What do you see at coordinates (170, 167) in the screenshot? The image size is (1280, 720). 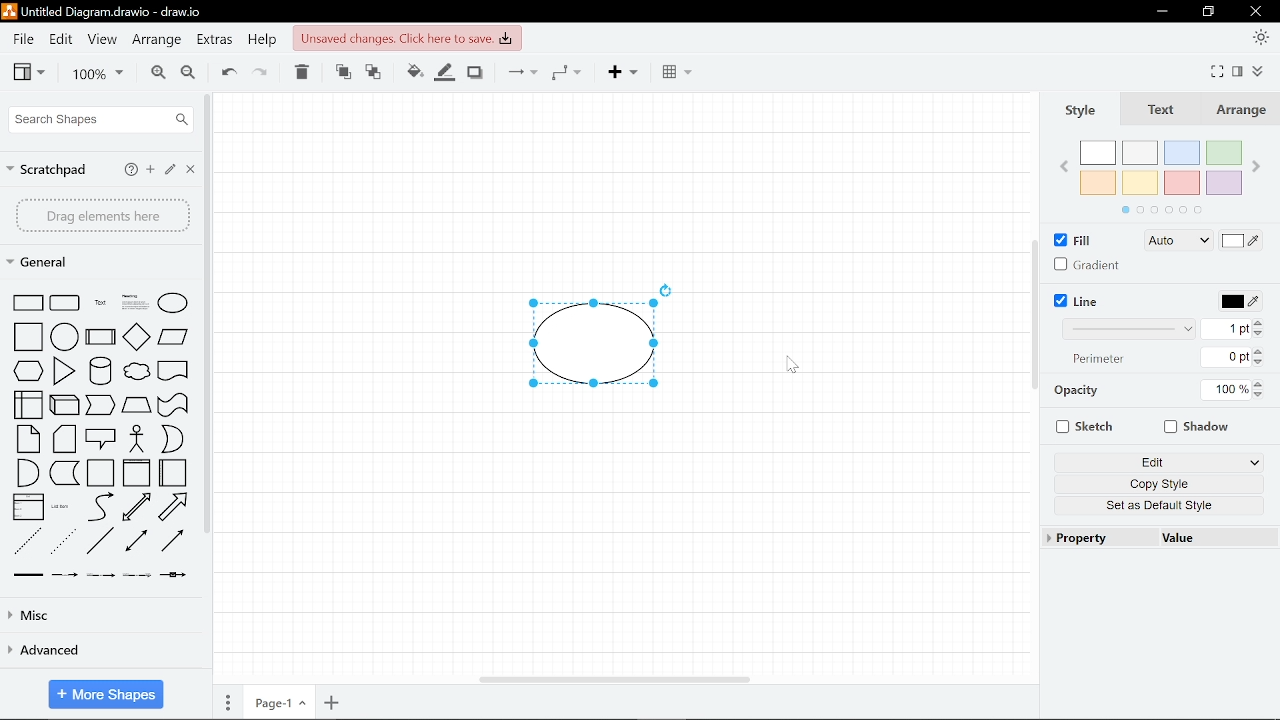 I see `edit ` at bounding box center [170, 167].